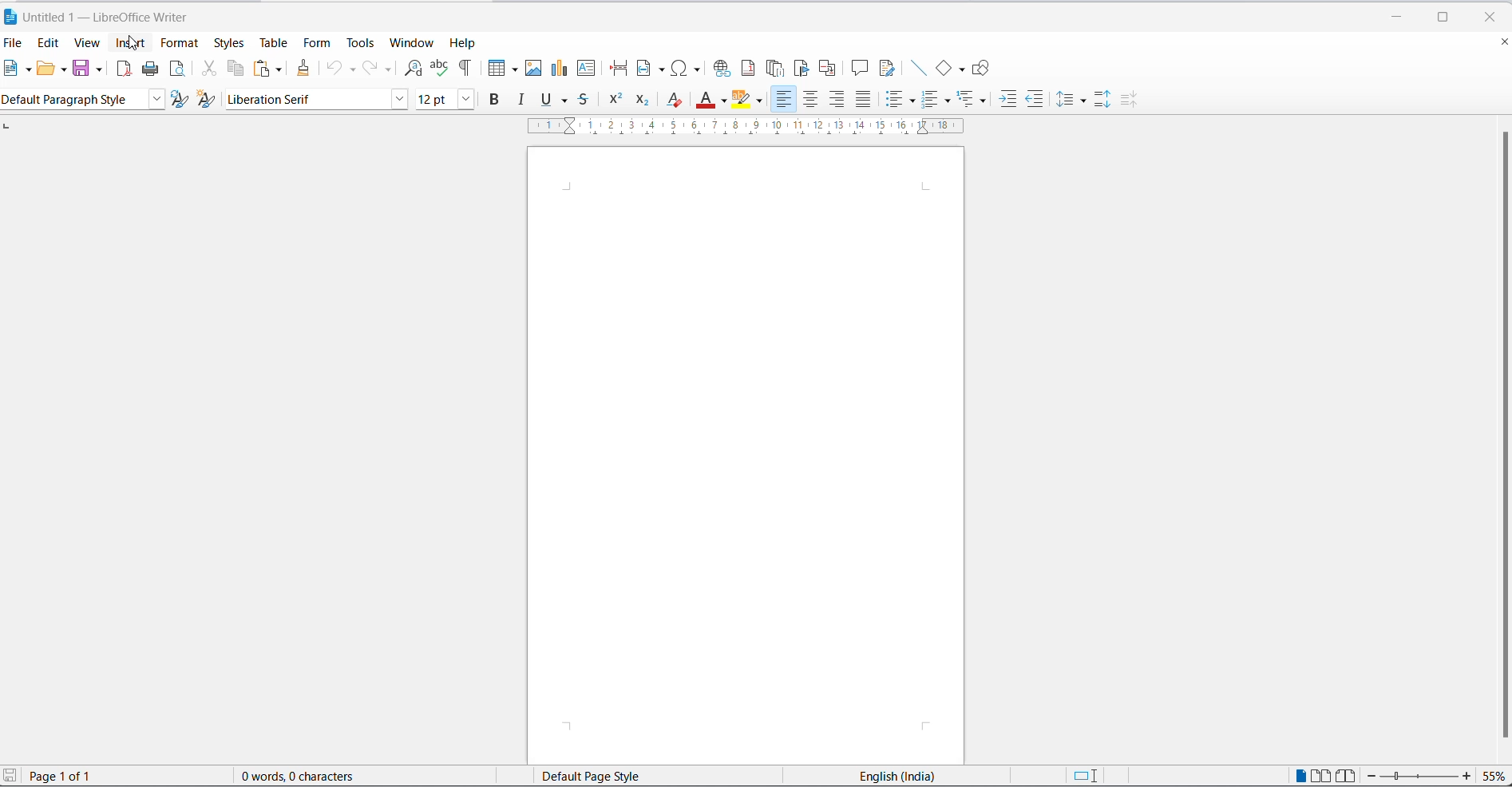 This screenshot has width=1512, height=787. I want to click on line spacing, so click(1068, 101).